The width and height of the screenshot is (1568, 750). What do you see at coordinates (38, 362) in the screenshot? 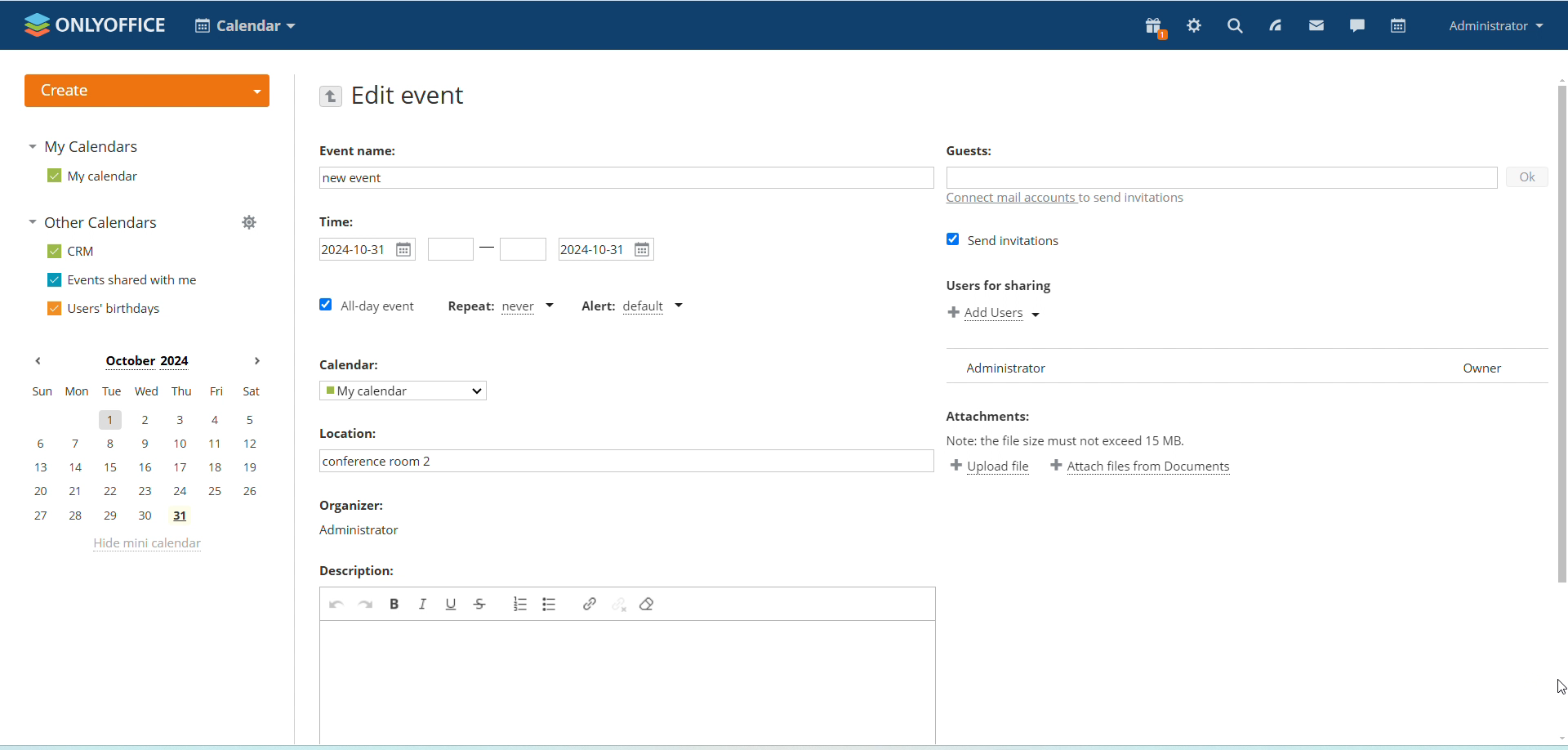
I see `previous month` at bounding box center [38, 362].